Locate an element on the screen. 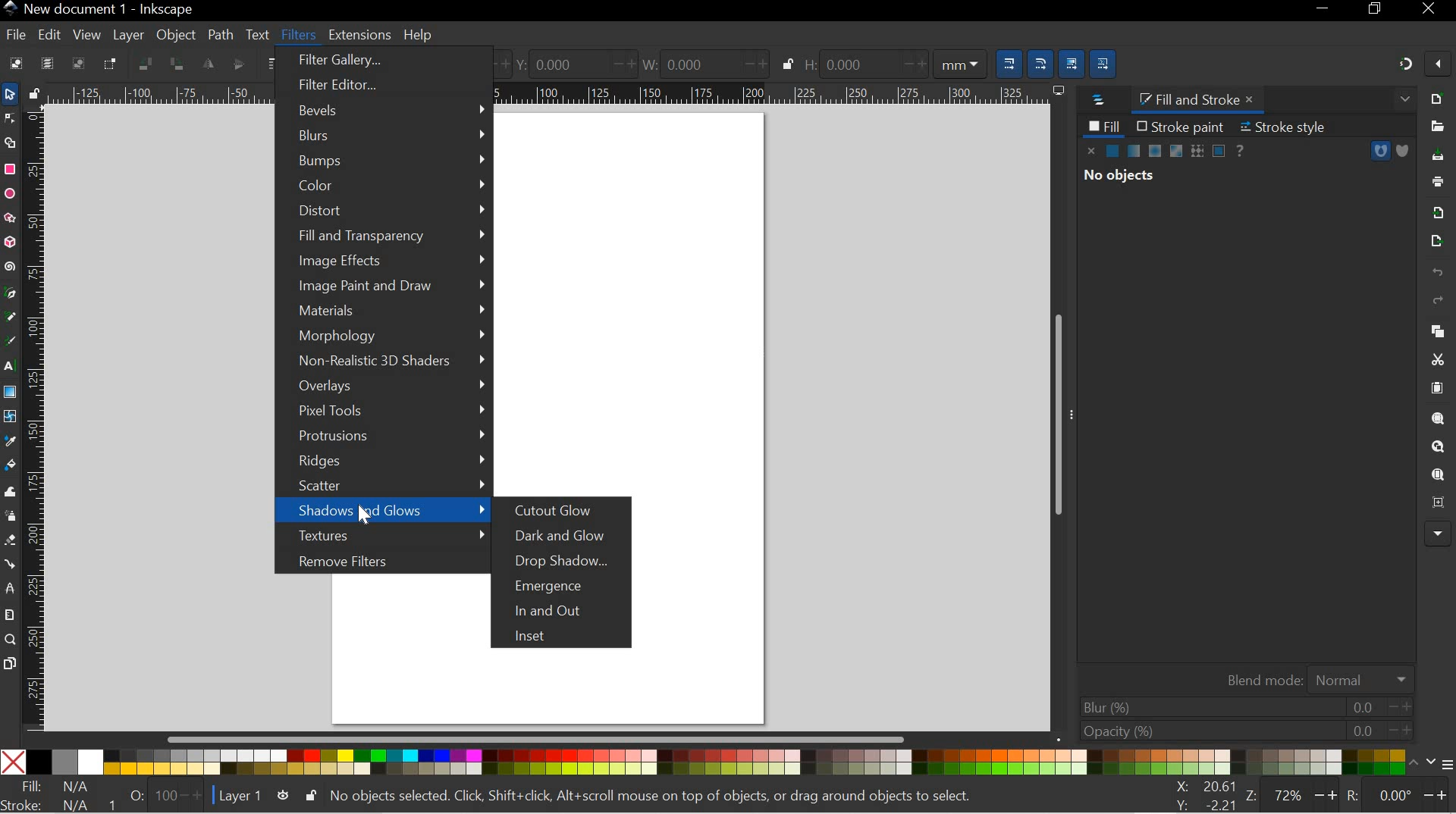 The width and height of the screenshot is (1456, 814). CUTOUT GLOW is located at coordinates (561, 512).